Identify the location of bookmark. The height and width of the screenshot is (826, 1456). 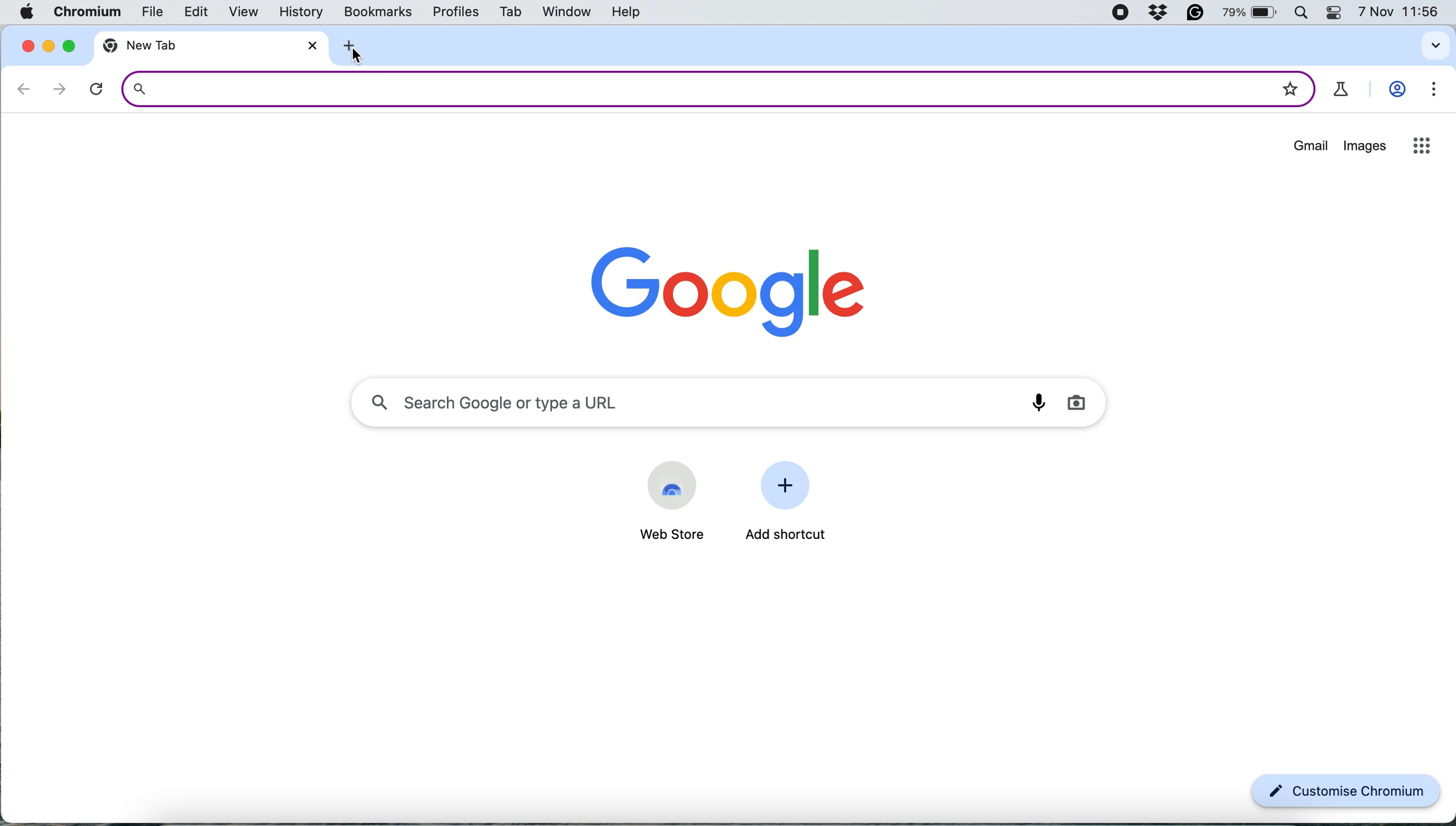
(1290, 85).